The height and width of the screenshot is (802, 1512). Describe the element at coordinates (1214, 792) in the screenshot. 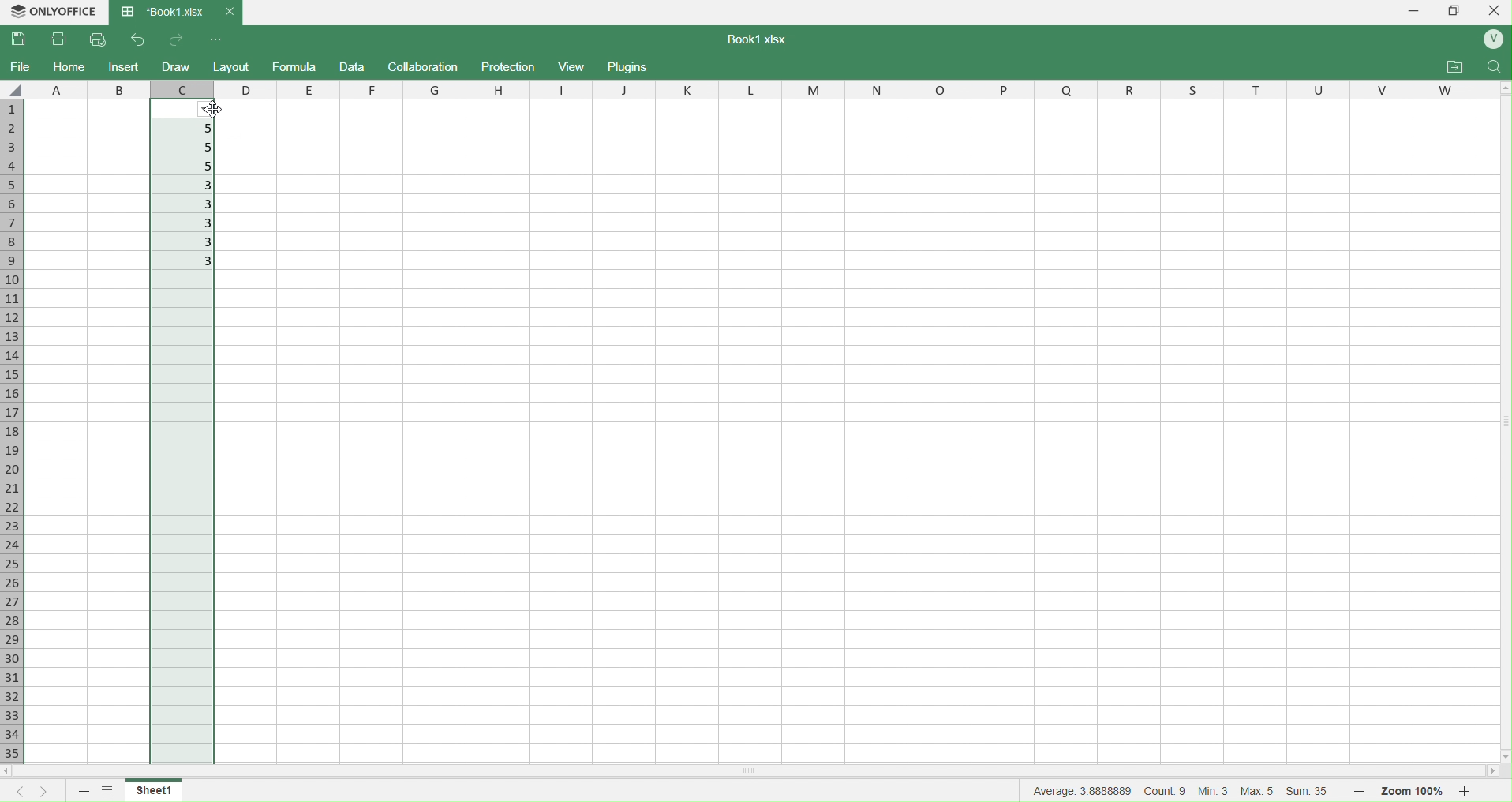

I see `Min` at that location.